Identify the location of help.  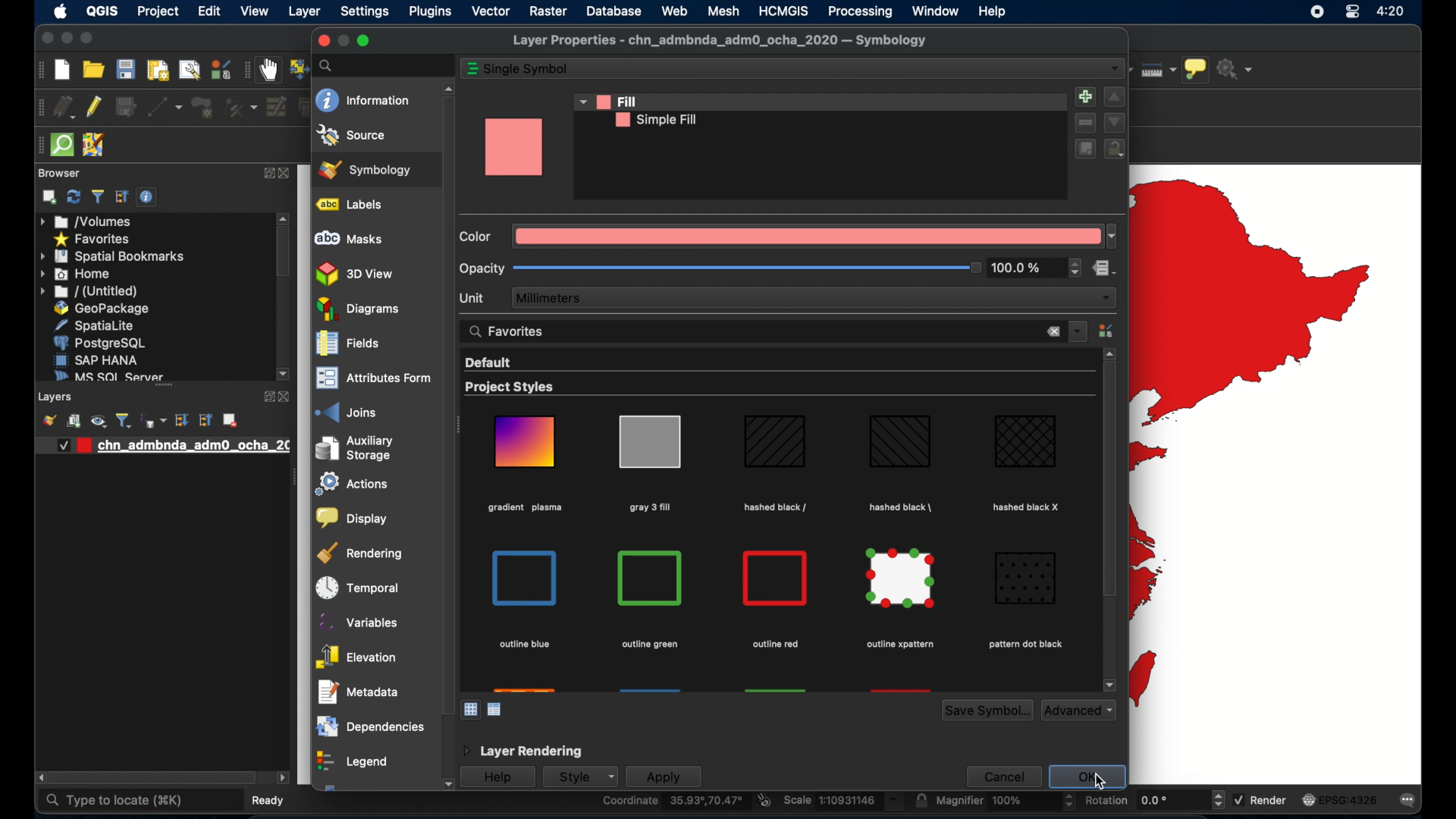
(994, 11).